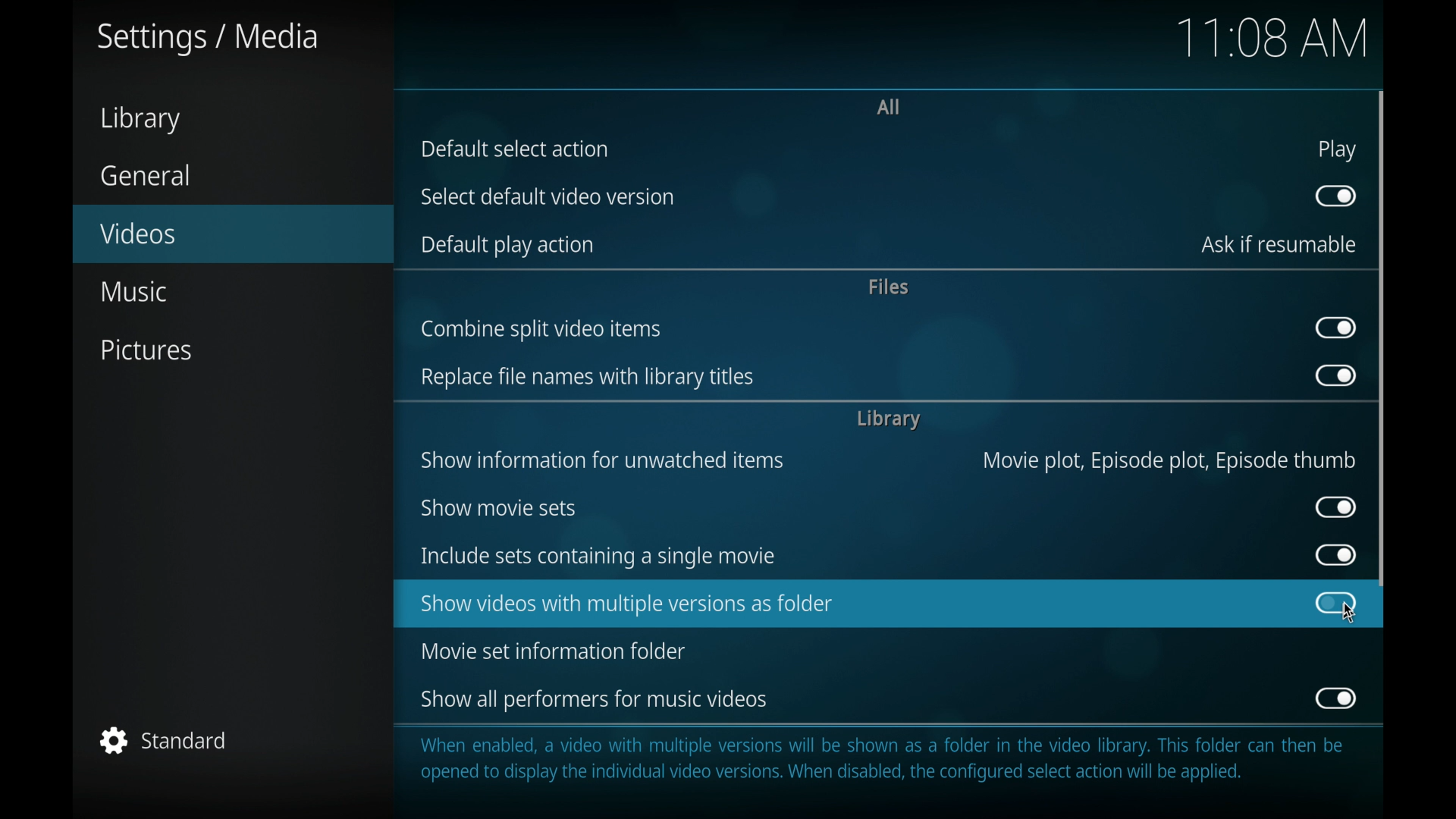 The width and height of the screenshot is (1456, 819). What do you see at coordinates (1336, 698) in the screenshot?
I see `toggle button` at bounding box center [1336, 698].